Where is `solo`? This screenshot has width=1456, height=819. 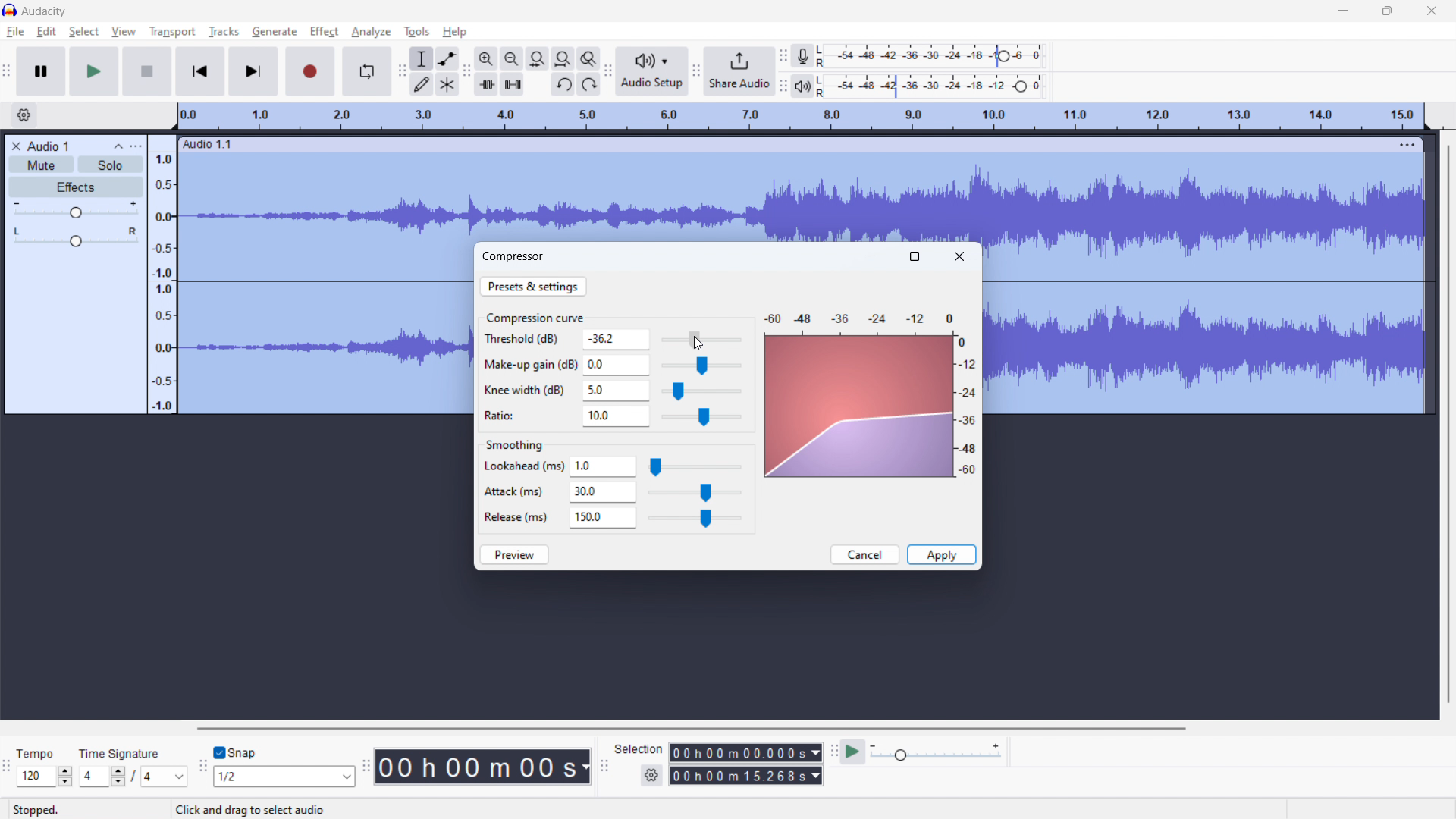
solo is located at coordinates (111, 164).